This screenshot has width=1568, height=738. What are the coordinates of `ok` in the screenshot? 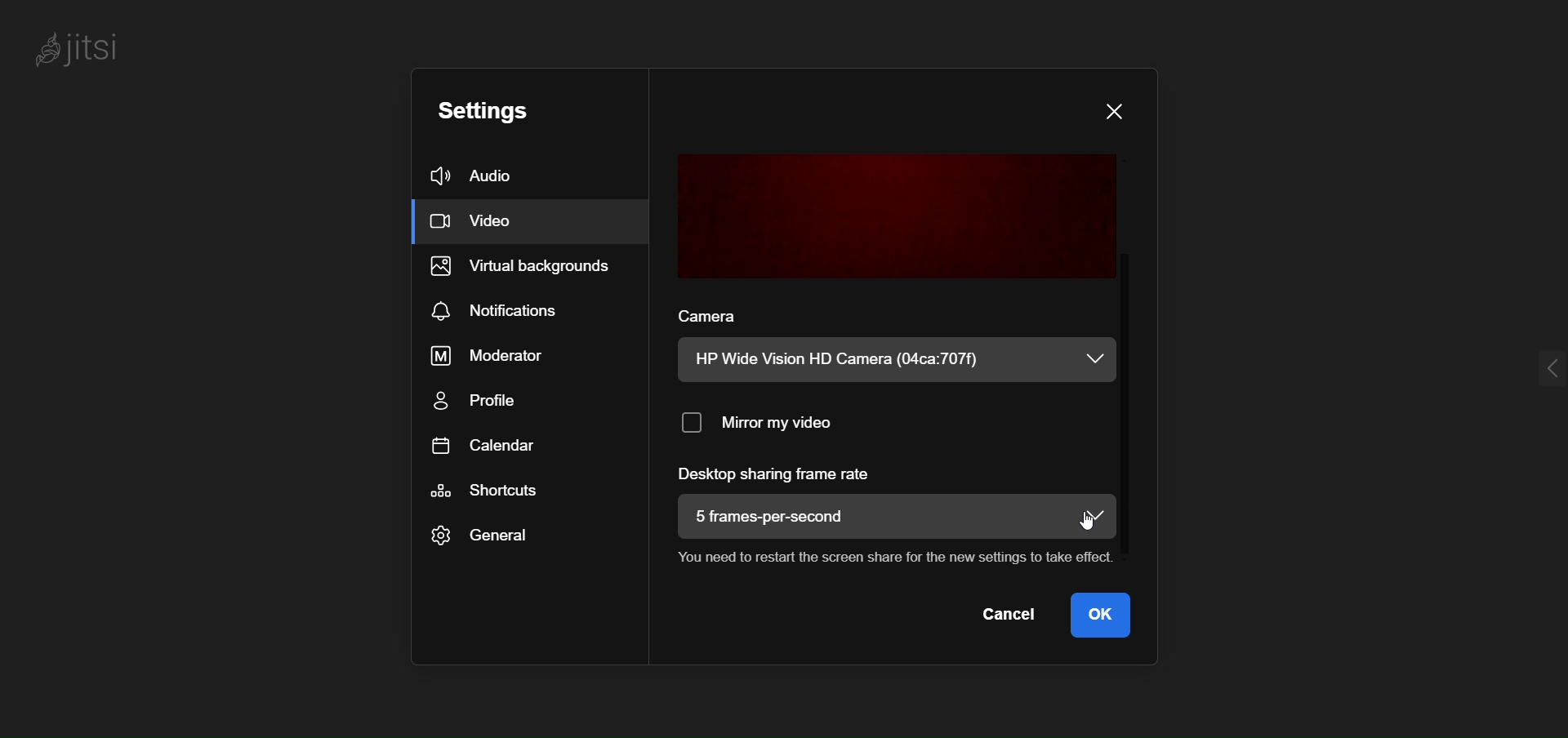 It's located at (1106, 617).